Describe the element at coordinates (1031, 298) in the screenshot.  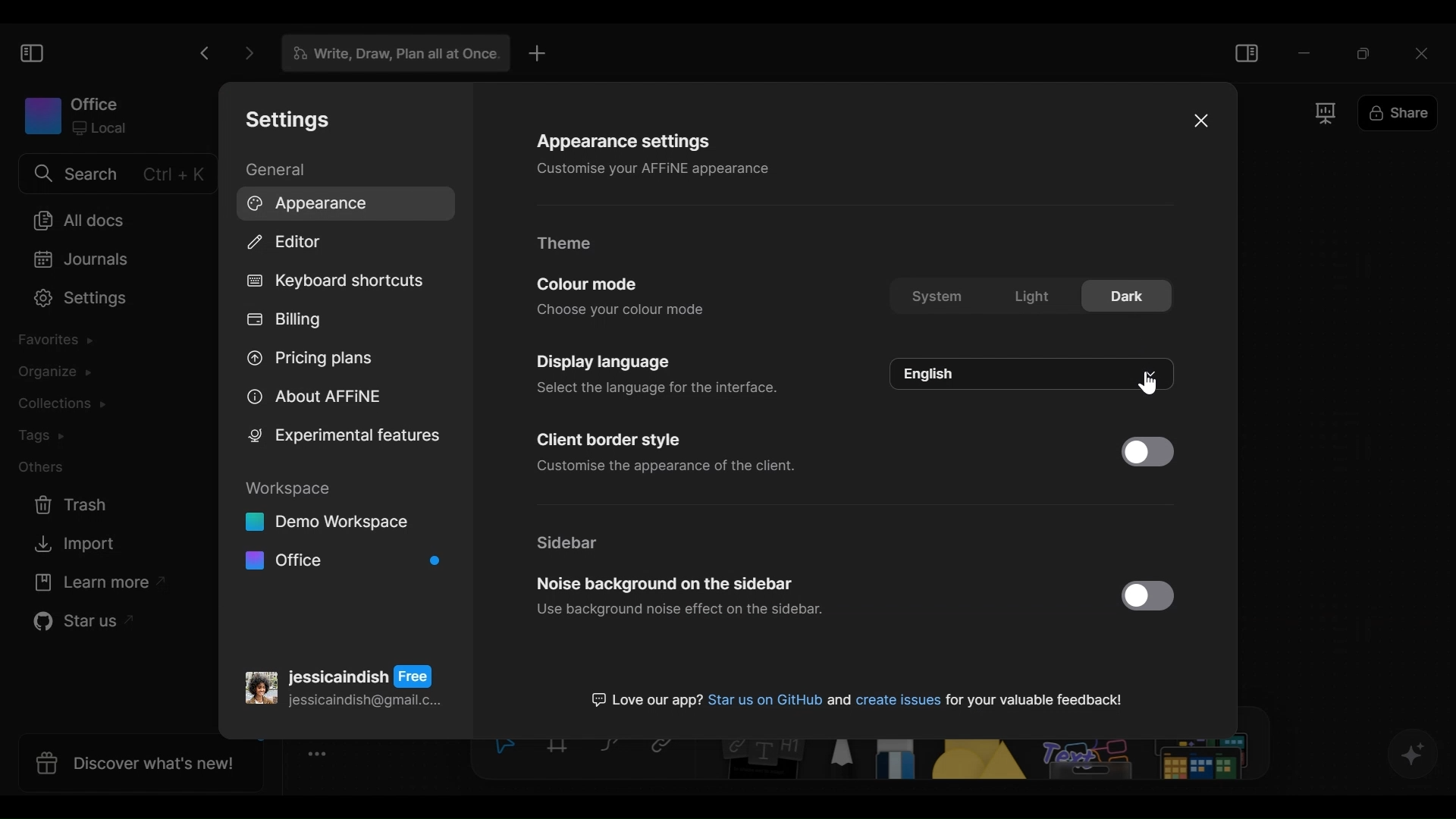
I see `color mode options` at that location.